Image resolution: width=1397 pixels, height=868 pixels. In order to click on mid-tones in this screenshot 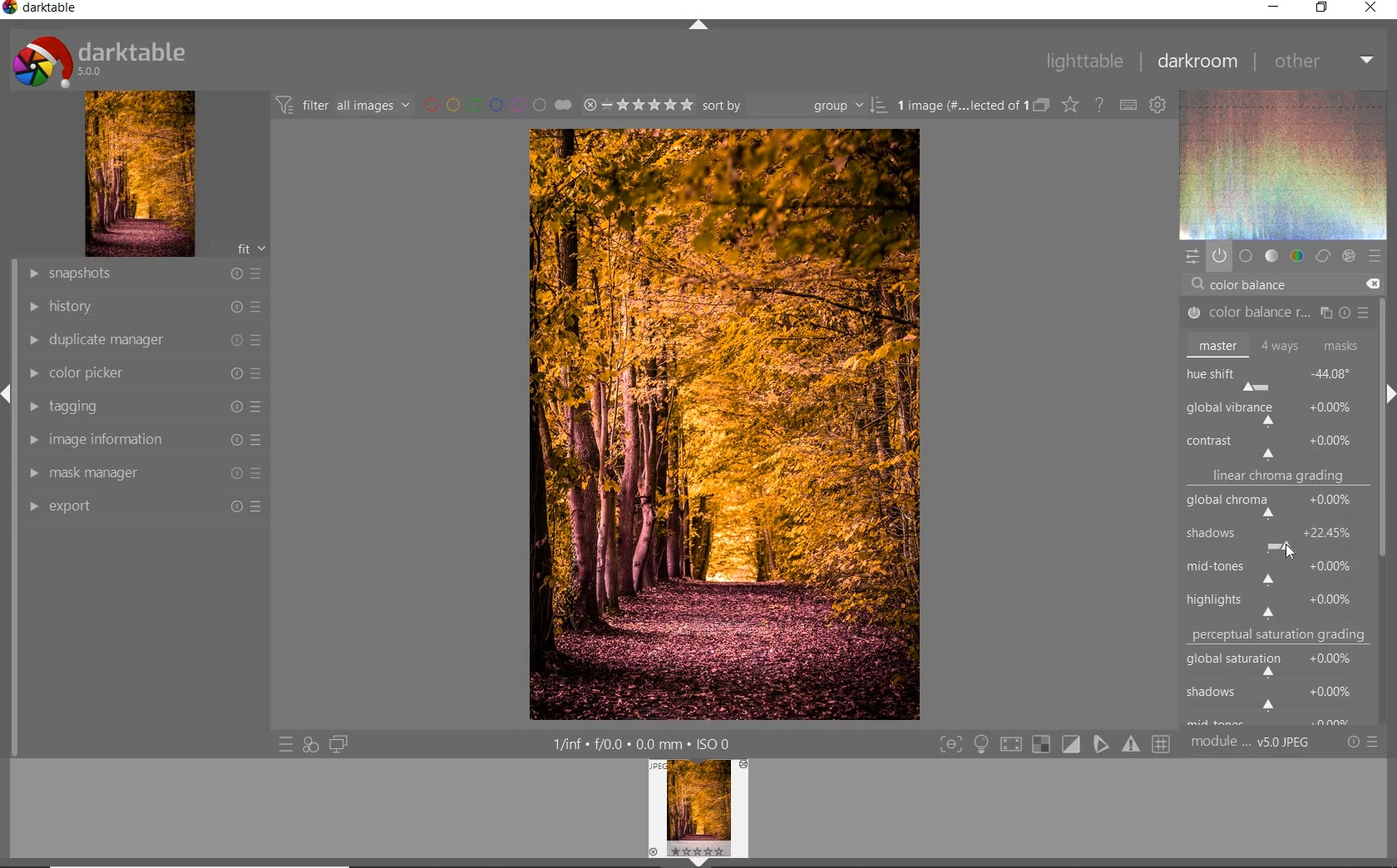, I will do `click(1274, 570)`.